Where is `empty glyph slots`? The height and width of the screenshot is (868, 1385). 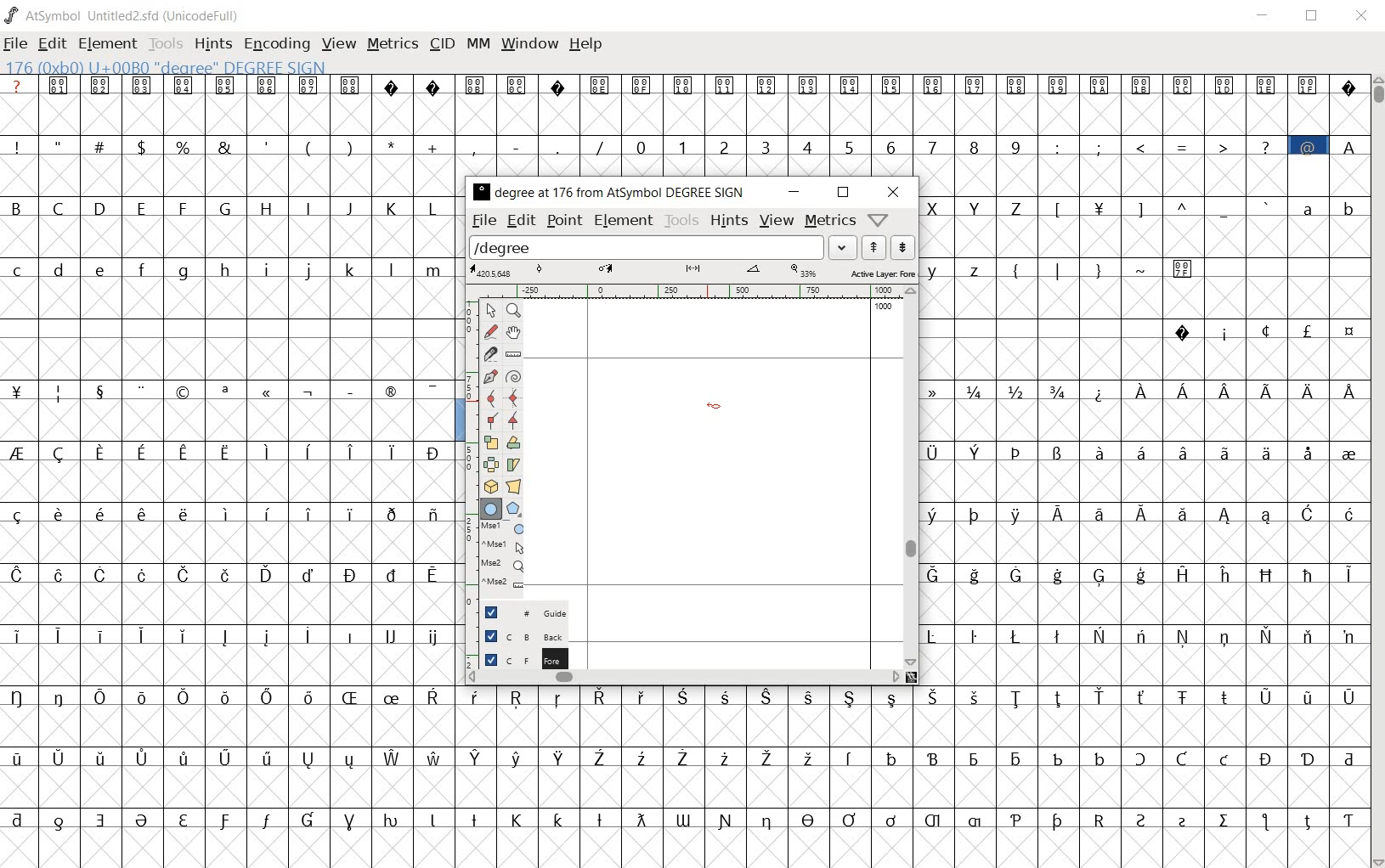 empty glyph slots is located at coordinates (230, 421).